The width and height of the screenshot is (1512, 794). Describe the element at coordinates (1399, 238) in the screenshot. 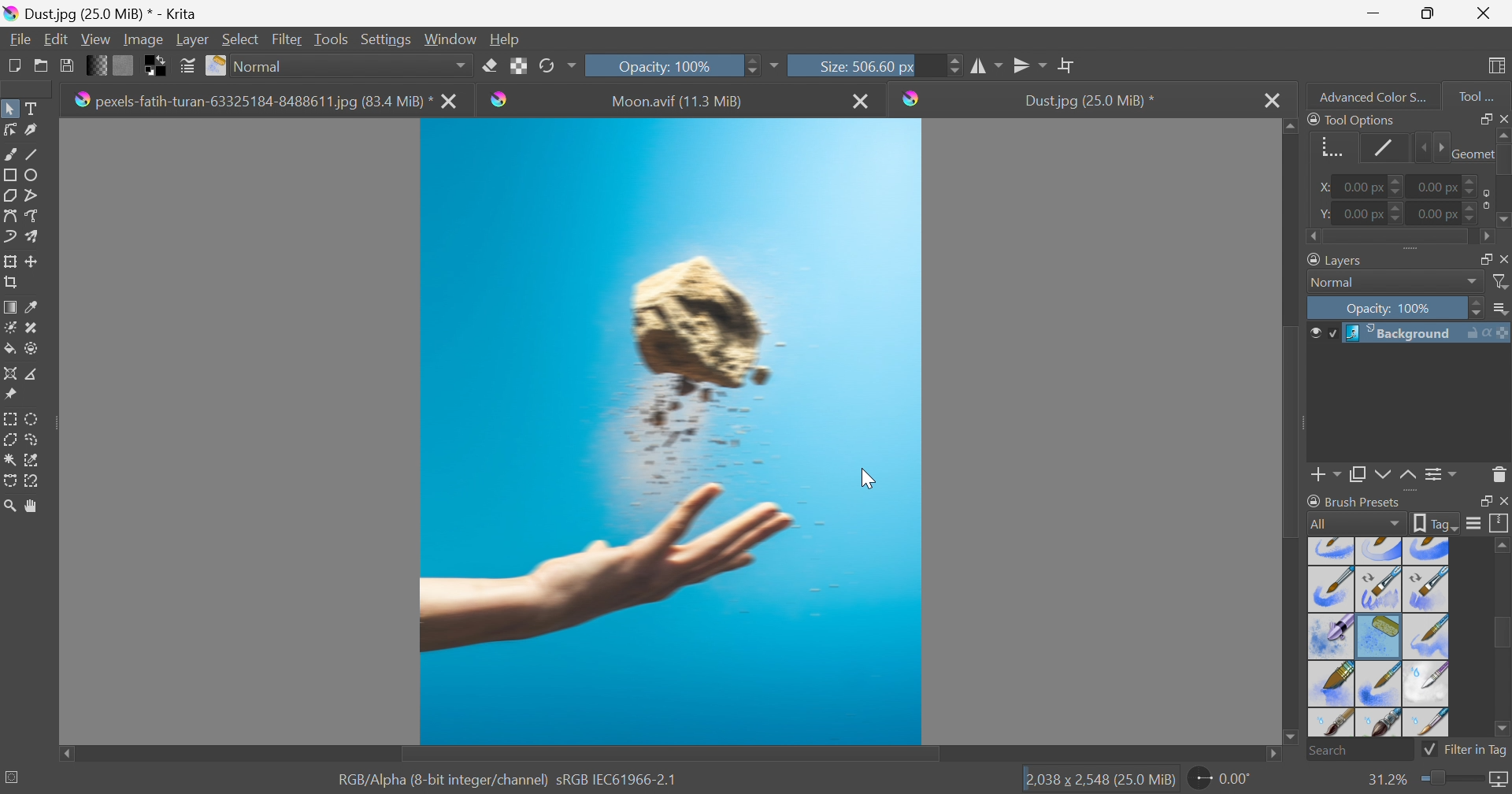

I see `Slider` at that location.